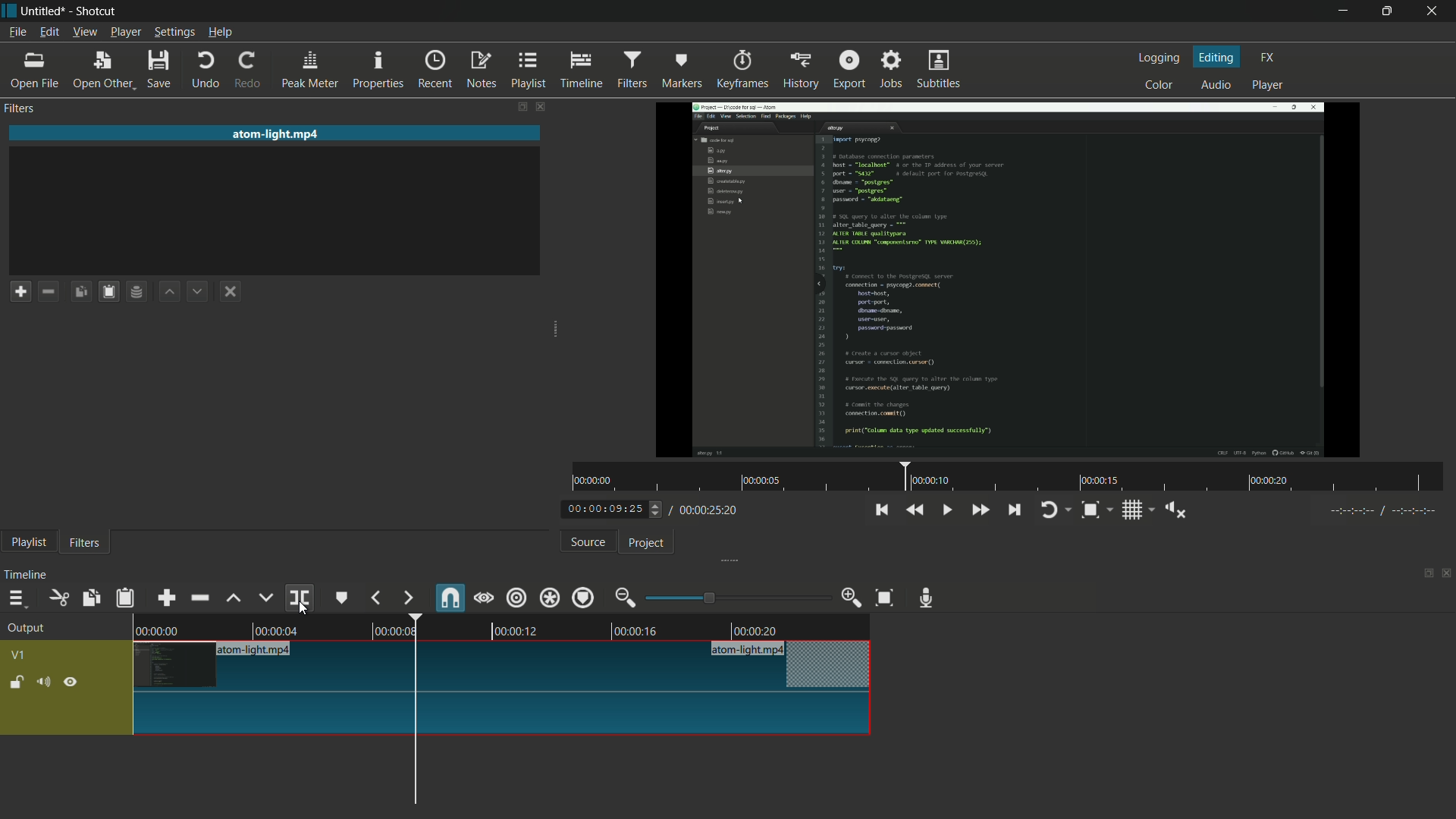 This screenshot has height=819, width=1456. I want to click on ripple all tracks, so click(549, 597).